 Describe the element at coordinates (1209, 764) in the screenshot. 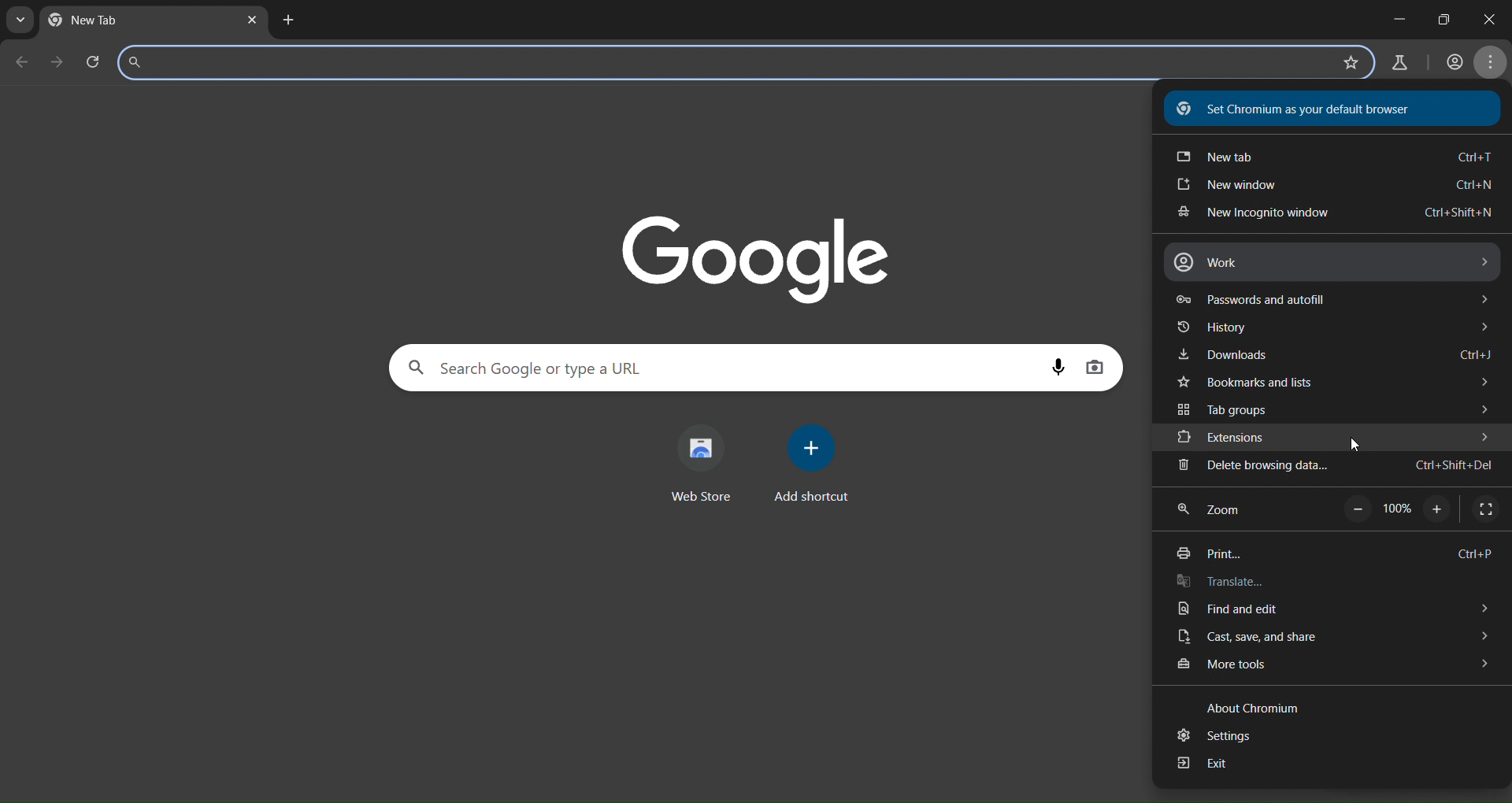

I see `exit` at that location.